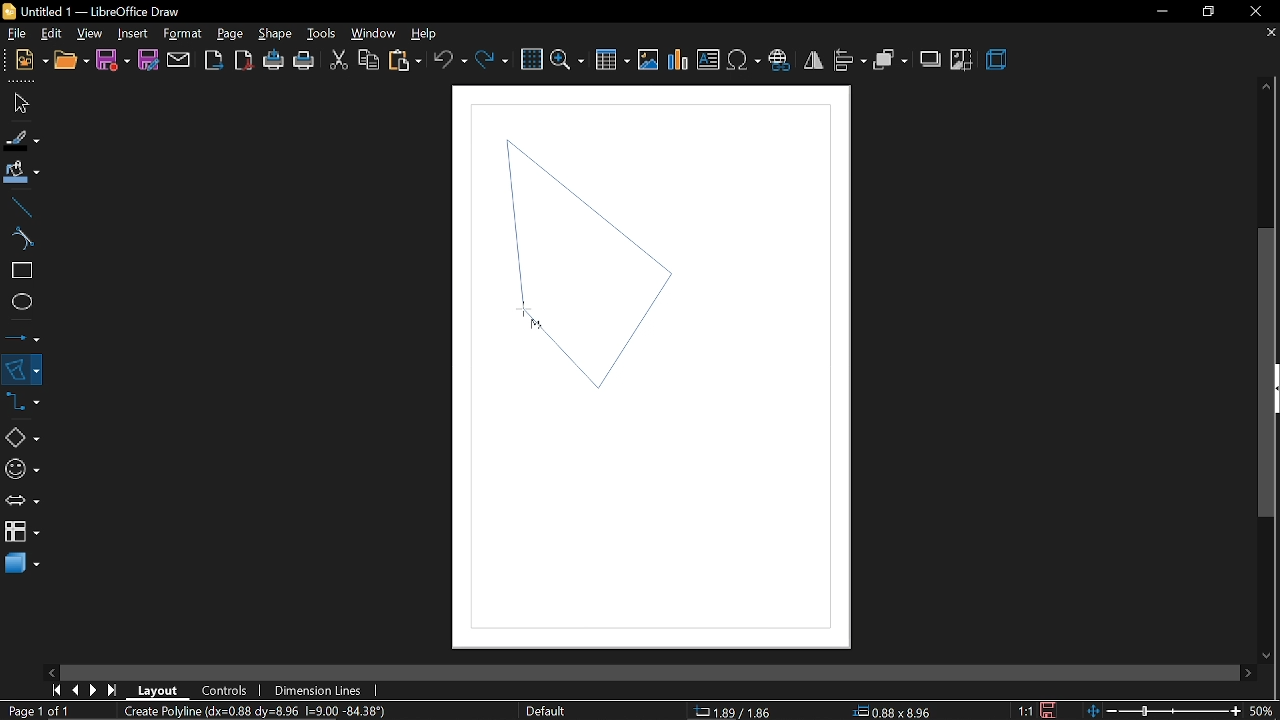  Describe the element at coordinates (21, 532) in the screenshot. I see `flowchart` at that location.